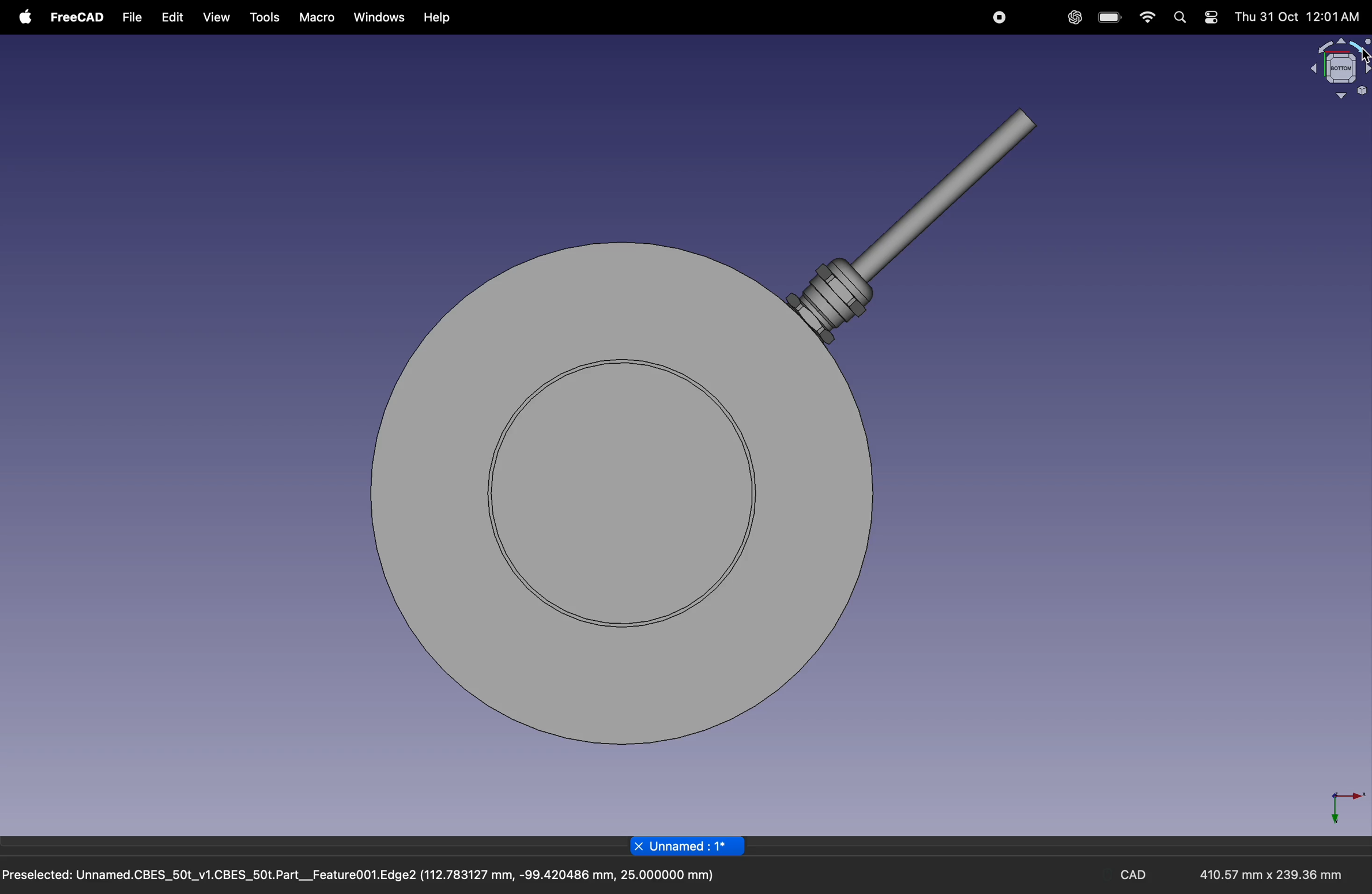 The height and width of the screenshot is (894, 1372). Describe the element at coordinates (214, 17) in the screenshot. I see `view` at that location.